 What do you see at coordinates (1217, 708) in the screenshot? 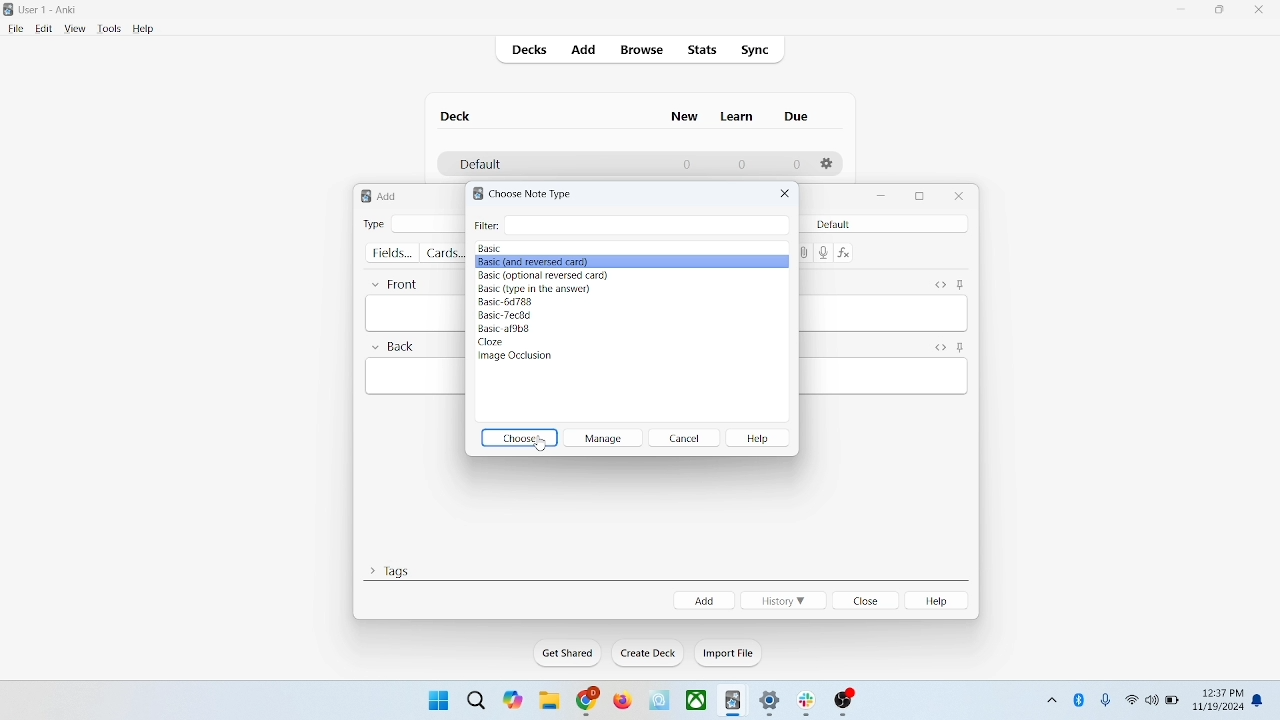
I see `11/19/2024` at bounding box center [1217, 708].